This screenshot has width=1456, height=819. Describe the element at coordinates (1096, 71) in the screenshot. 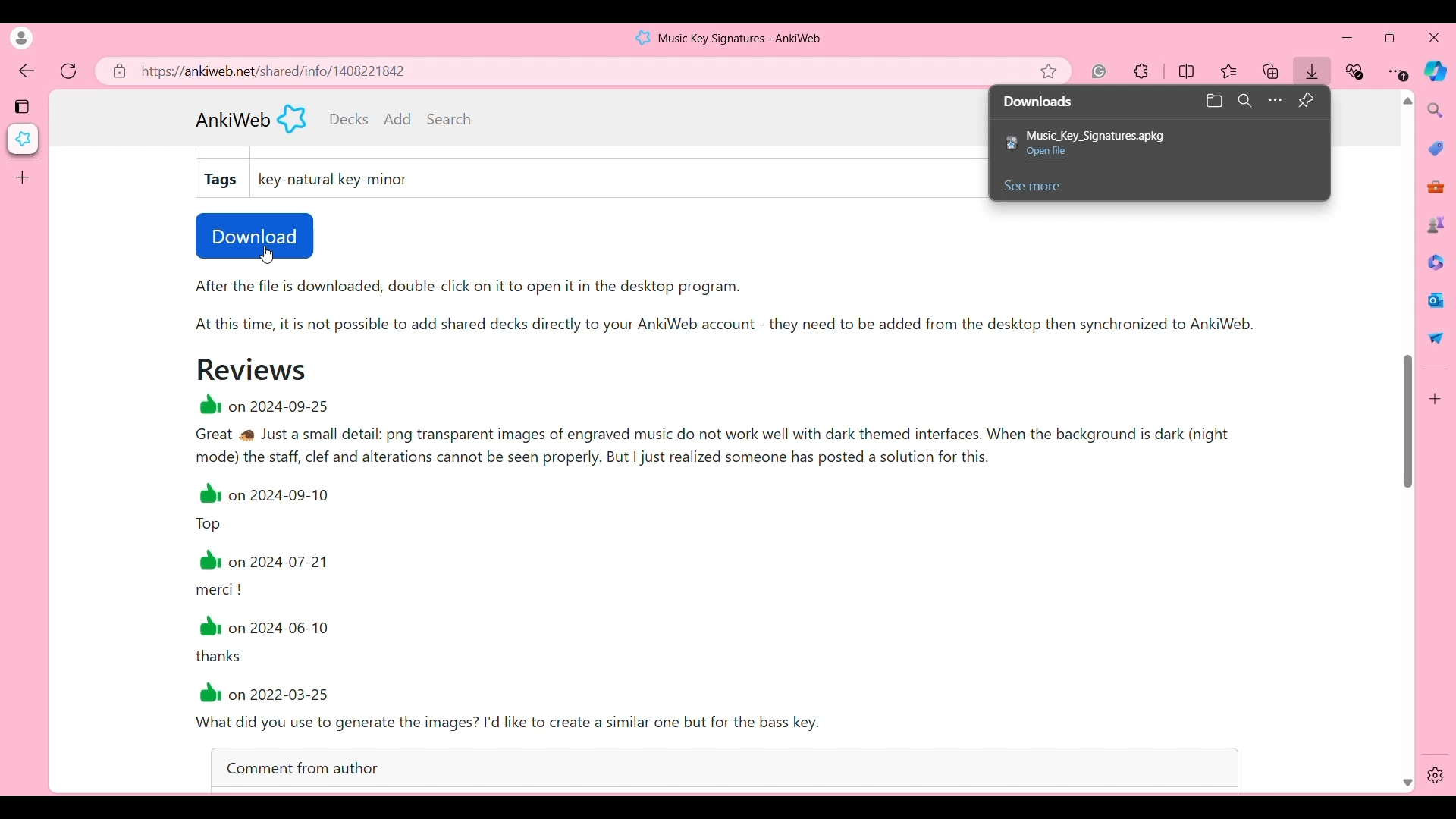

I see `Grammarly extension` at that location.